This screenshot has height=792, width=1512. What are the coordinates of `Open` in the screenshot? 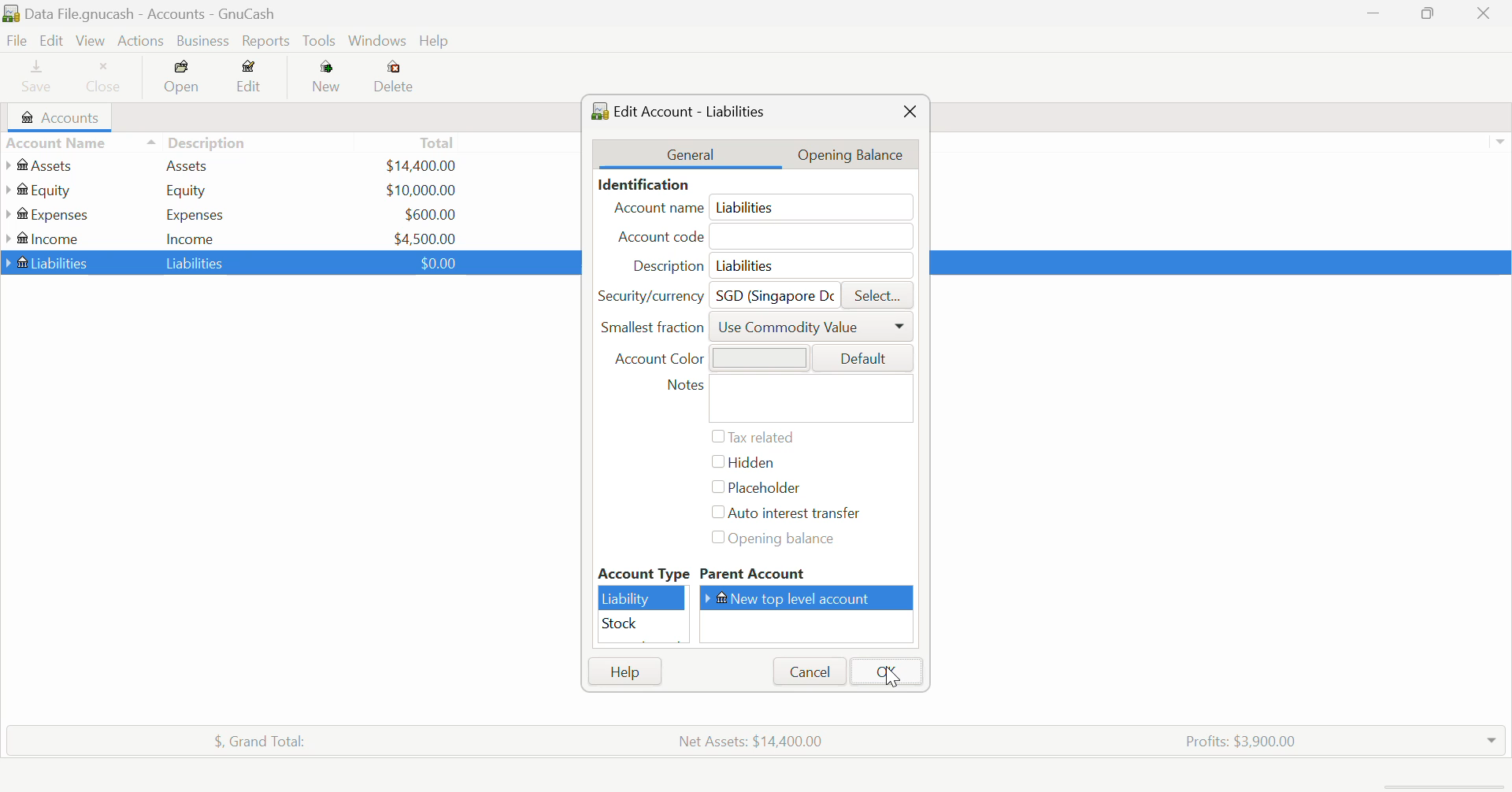 It's located at (183, 80).